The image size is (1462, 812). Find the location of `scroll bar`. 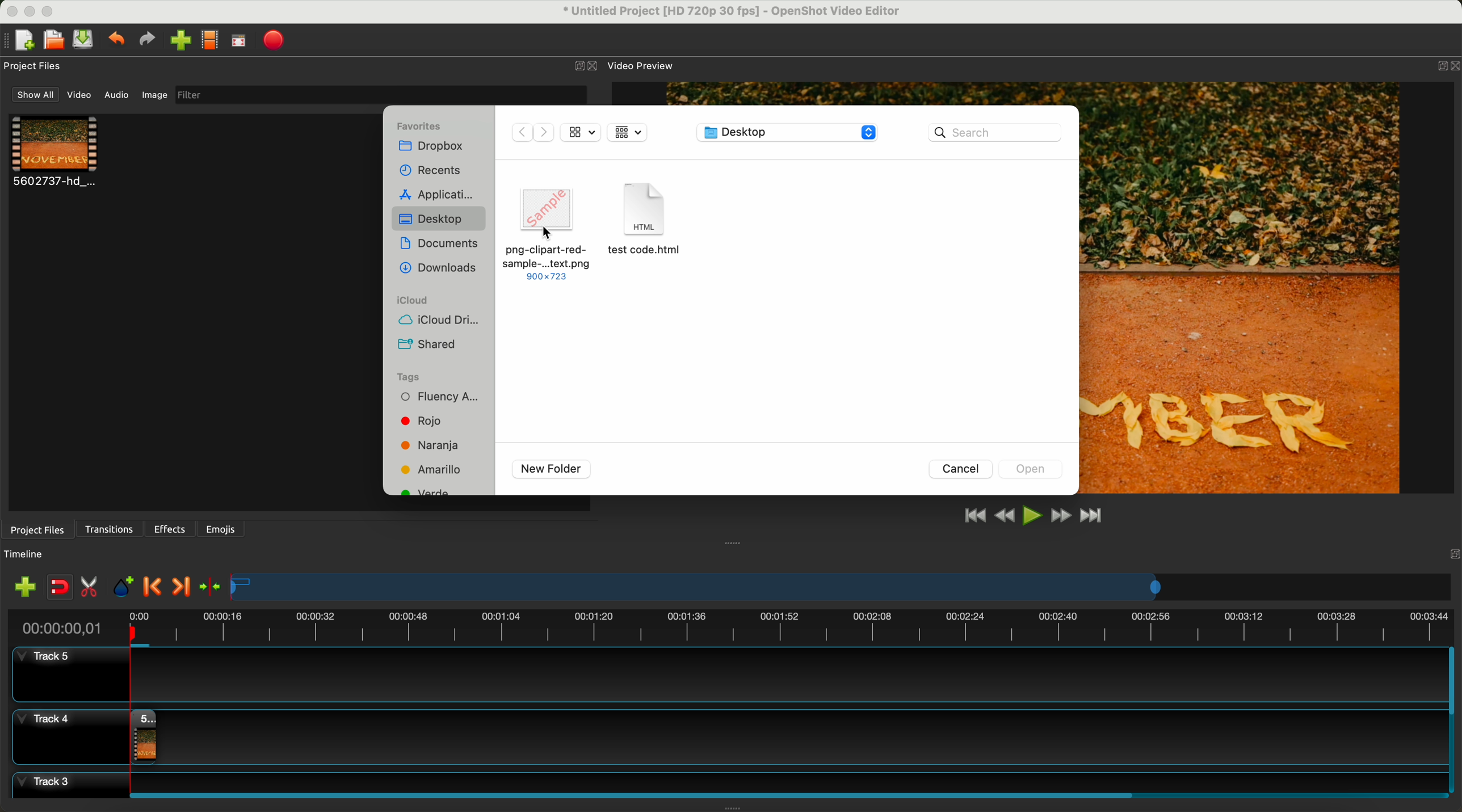

scroll bar is located at coordinates (1453, 720).